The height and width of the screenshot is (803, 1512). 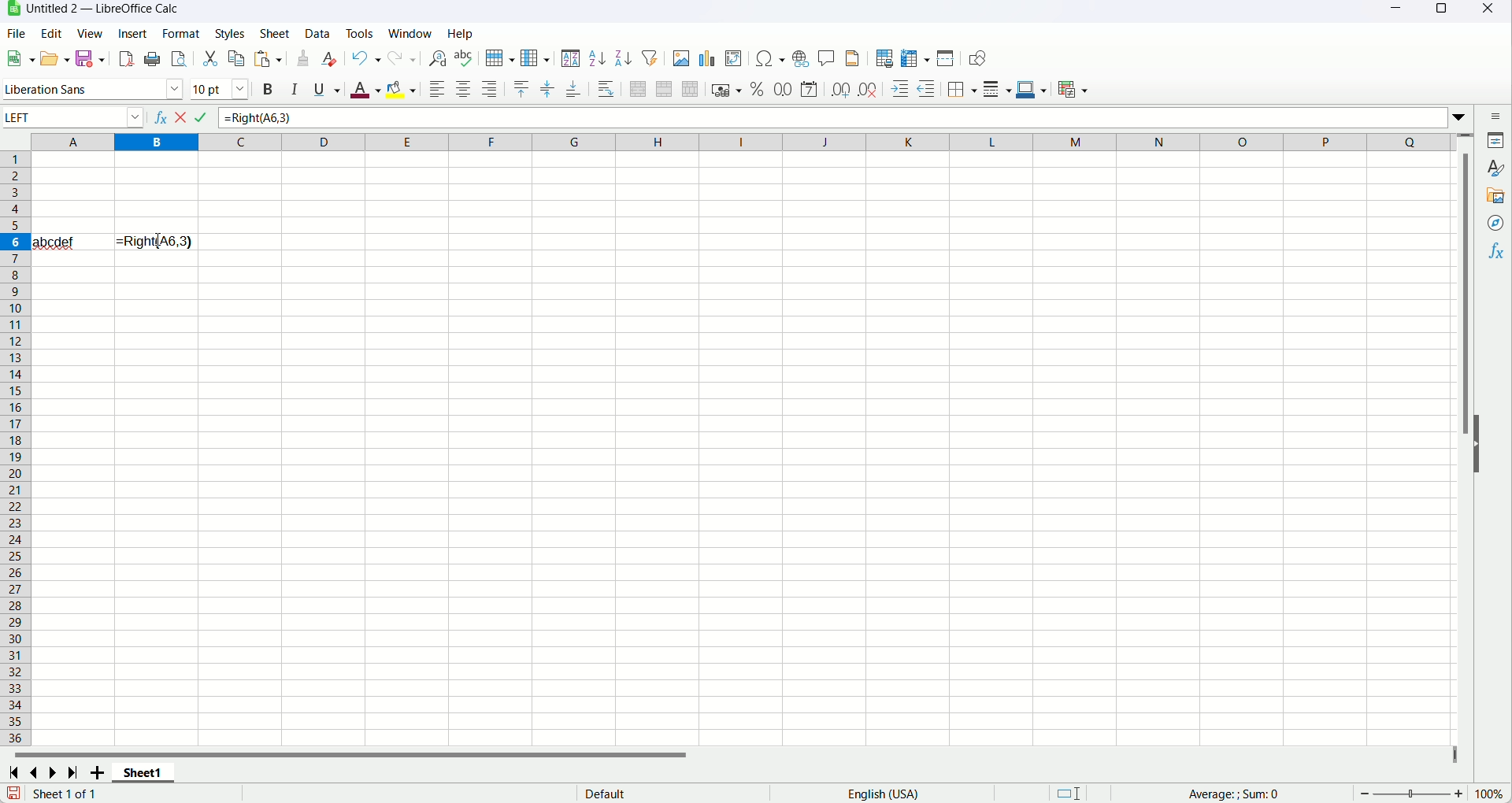 What do you see at coordinates (663, 88) in the screenshot?
I see `merge cells` at bounding box center [663, 88].